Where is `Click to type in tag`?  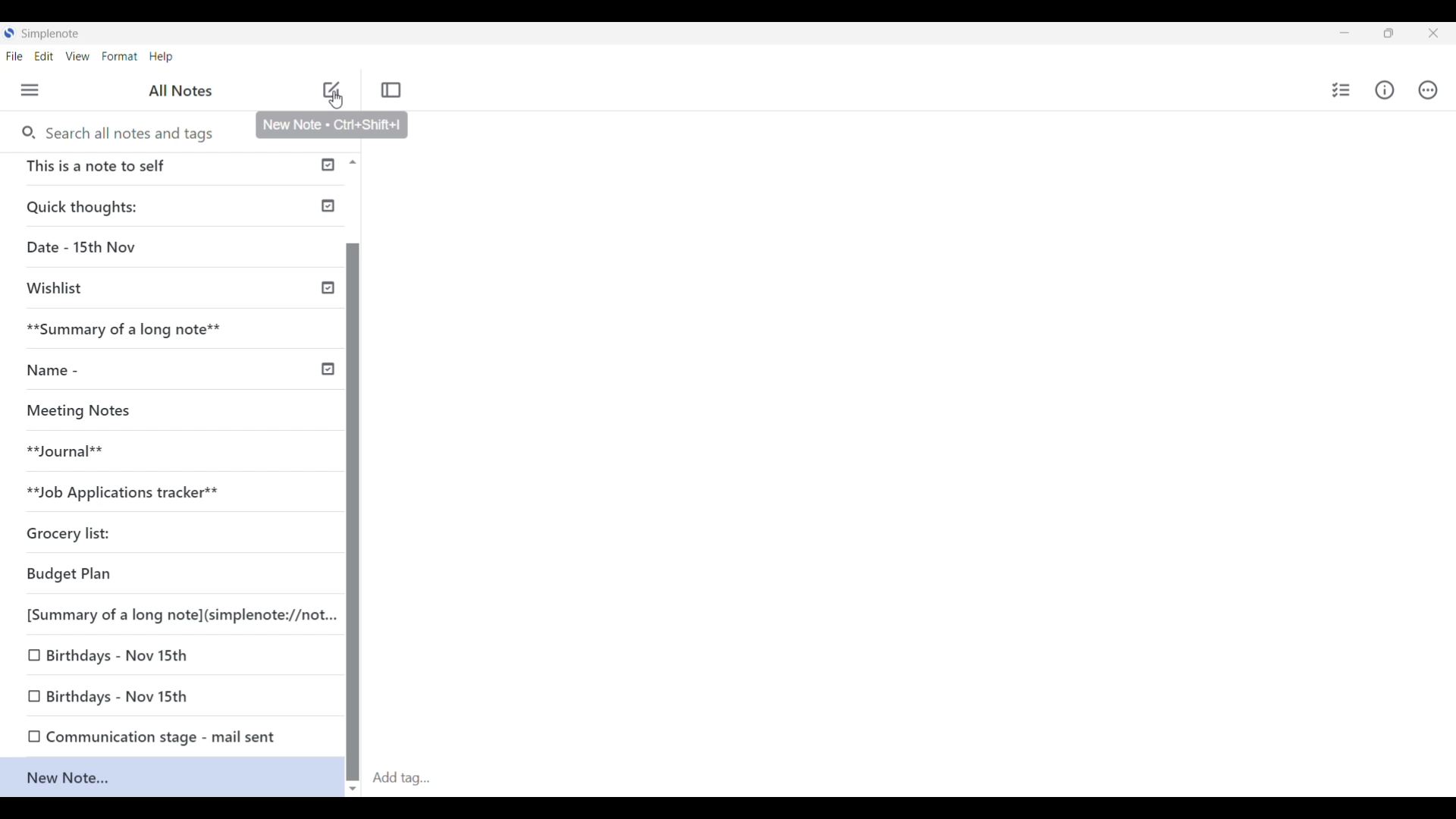 Click to type in tag is located at coordinates (400, 779).